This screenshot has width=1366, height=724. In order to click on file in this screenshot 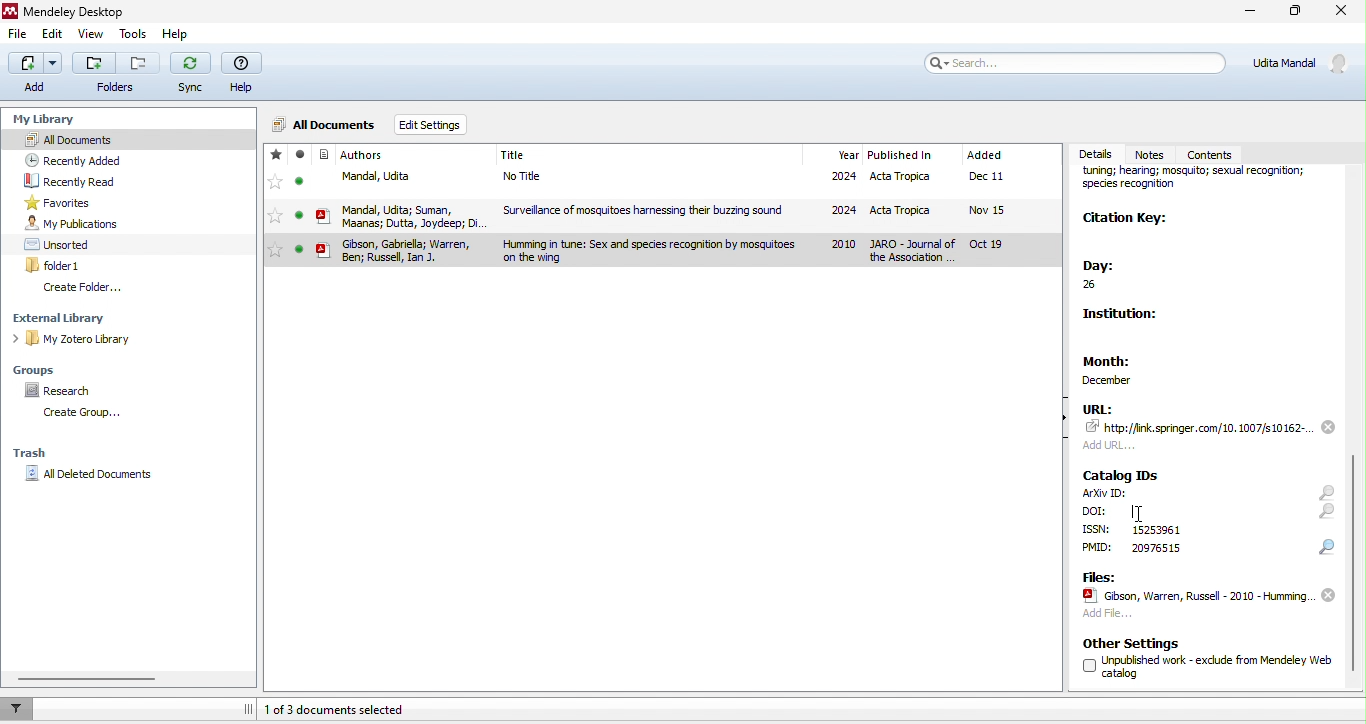, I will do `click(699, 214)`.